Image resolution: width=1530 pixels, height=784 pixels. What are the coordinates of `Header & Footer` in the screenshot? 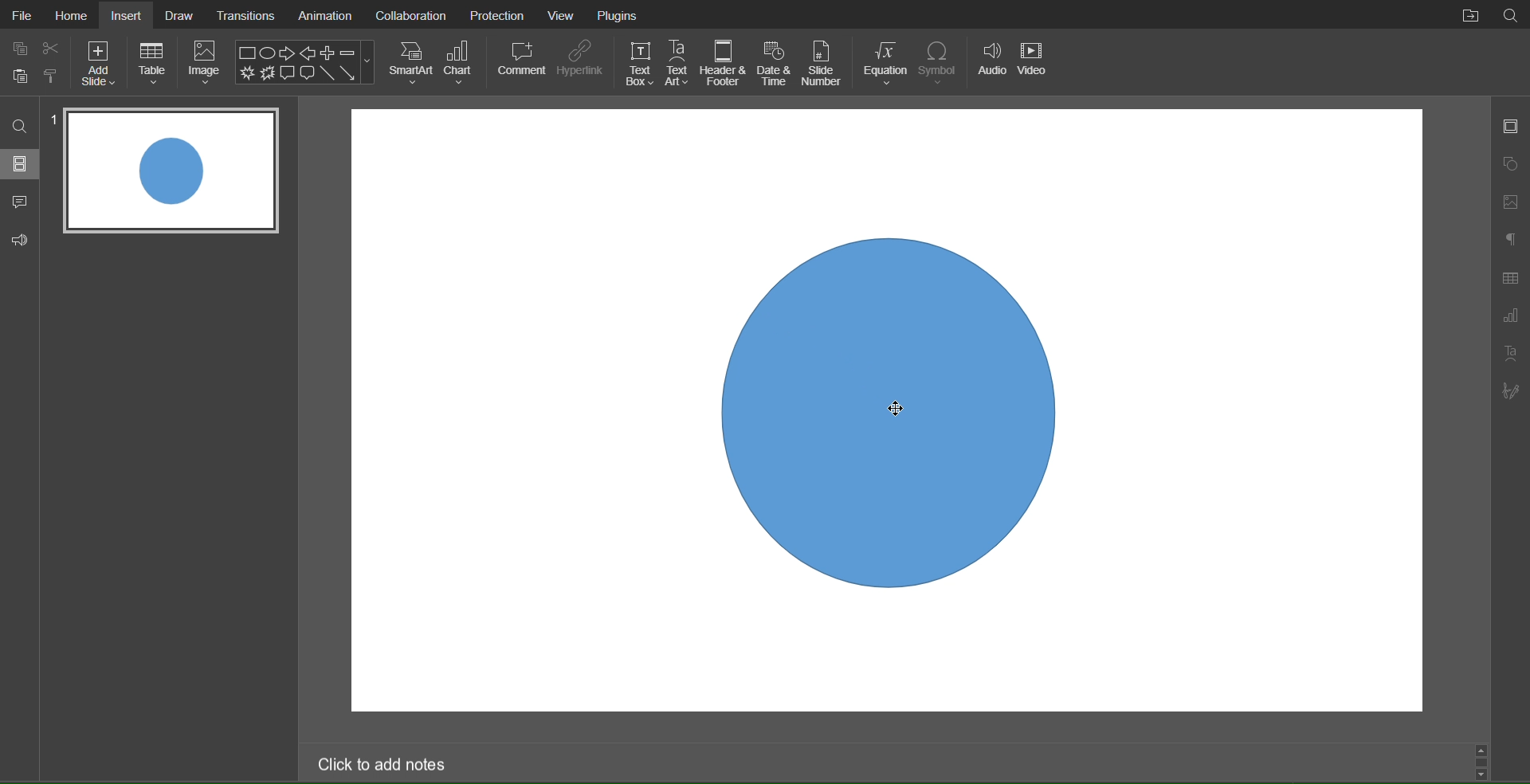 It's located at (725, 62).